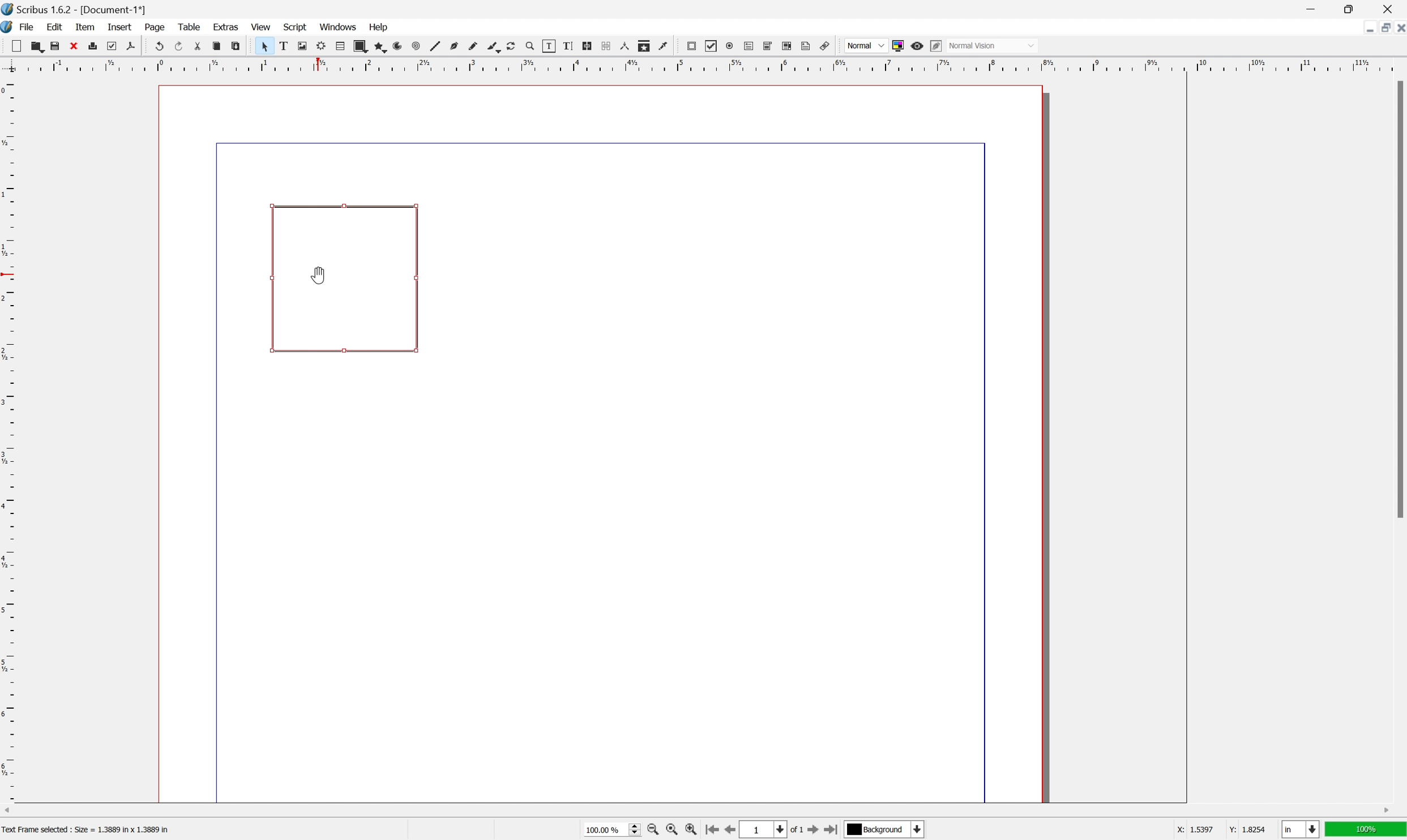 The image size is (1407, 840). Describe the element at coordinates (548, 45) in the screenshot. I see `edit contents of frame` at that location.